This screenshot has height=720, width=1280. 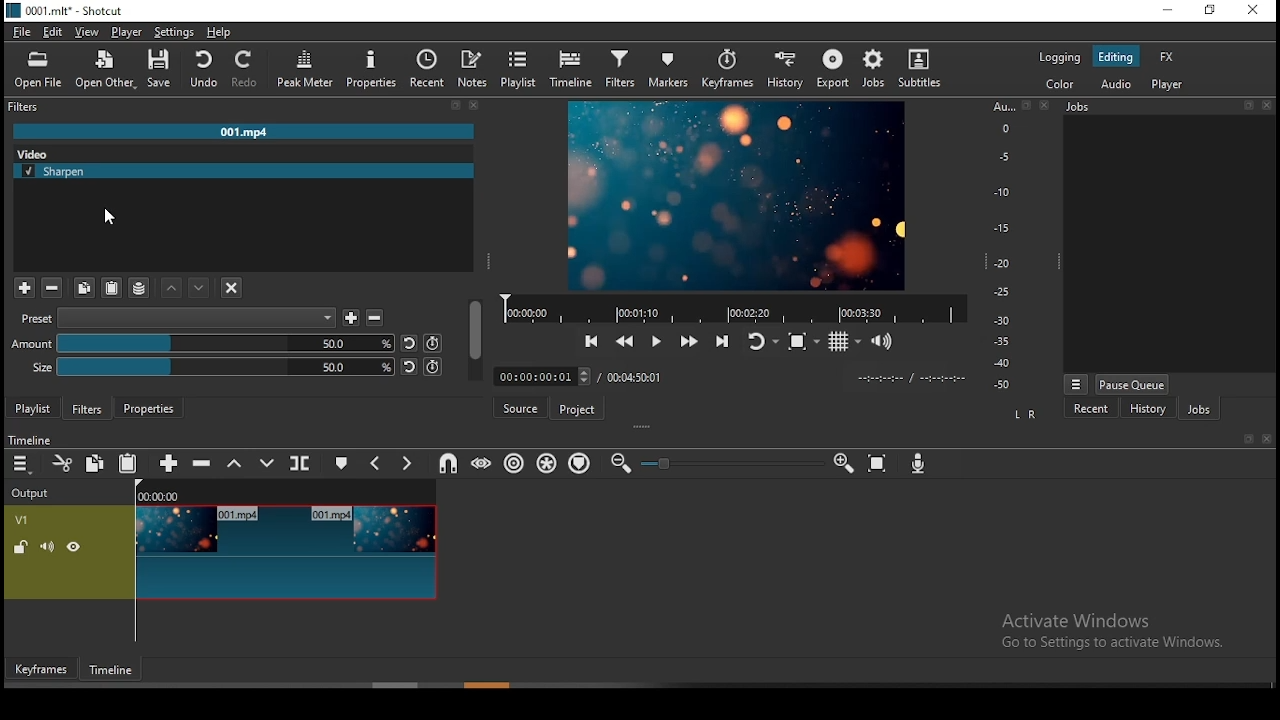 I want to click on redo, so click(x=436, y=342).